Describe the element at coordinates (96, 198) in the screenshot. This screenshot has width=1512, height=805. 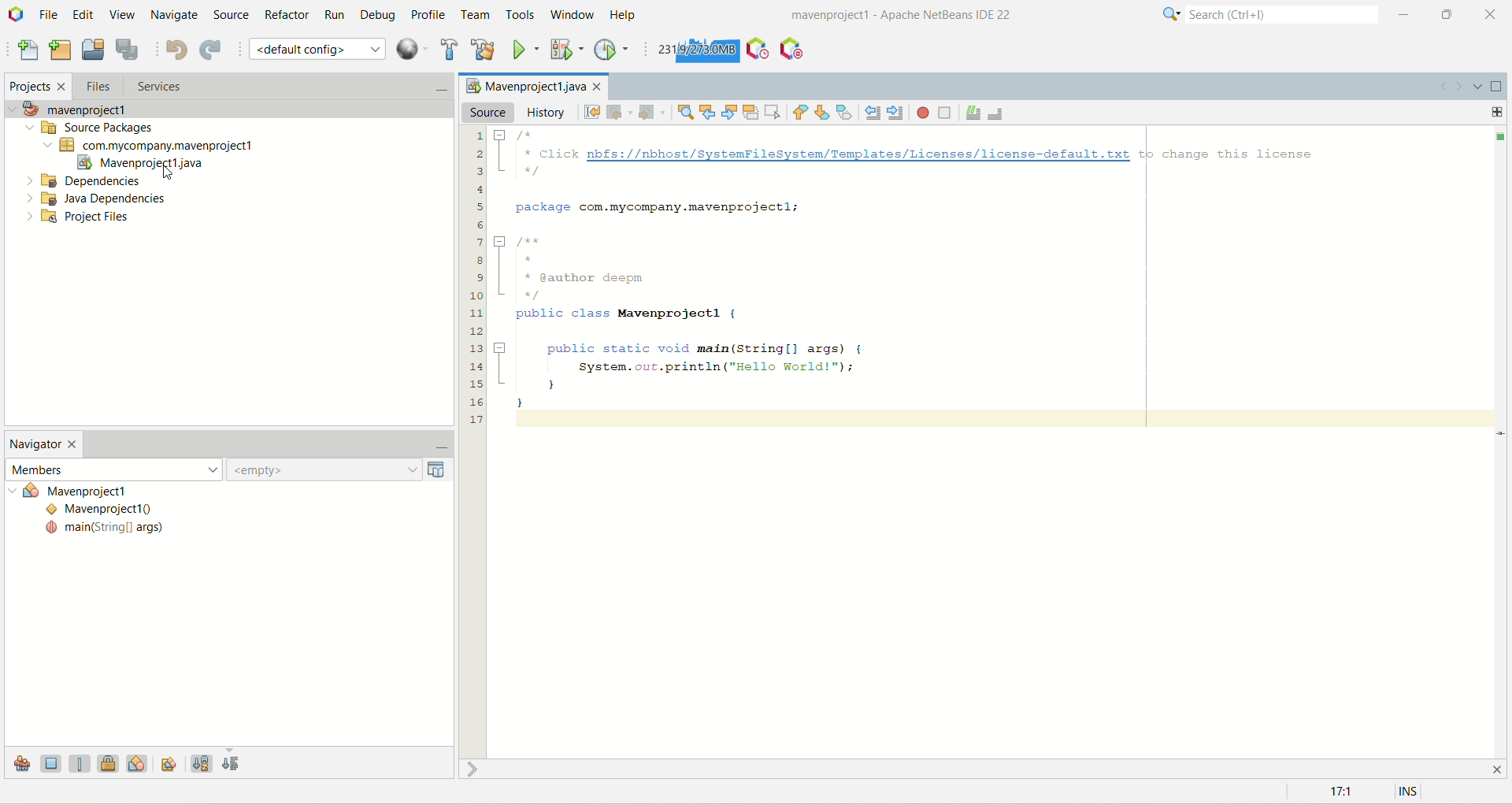
I see `Java dependencies` at that location.